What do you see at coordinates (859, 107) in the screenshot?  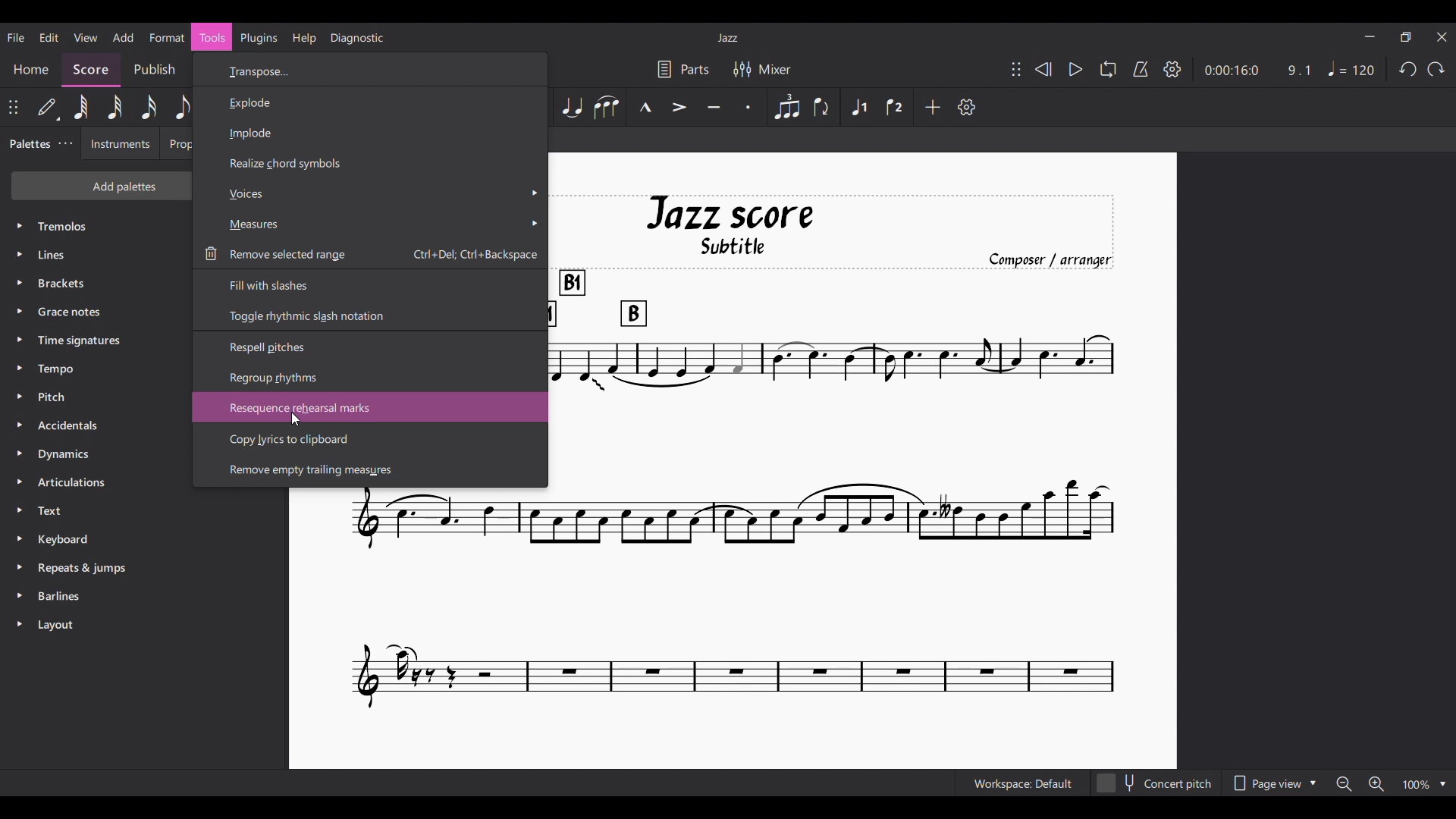 I see `Voice 1` at bounding box center [859, 107].